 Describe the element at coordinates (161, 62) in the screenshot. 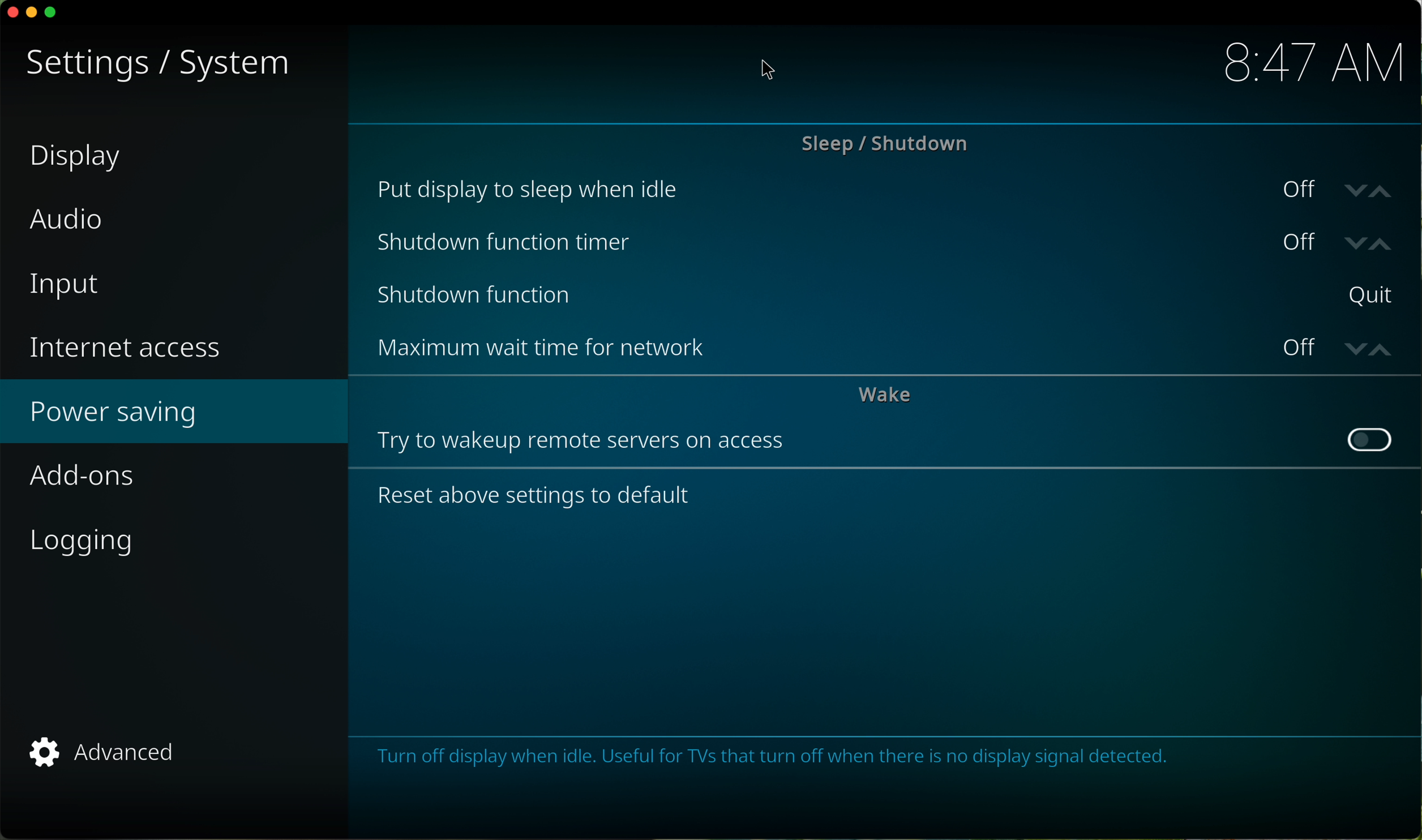

I see `settings/system` at that location.